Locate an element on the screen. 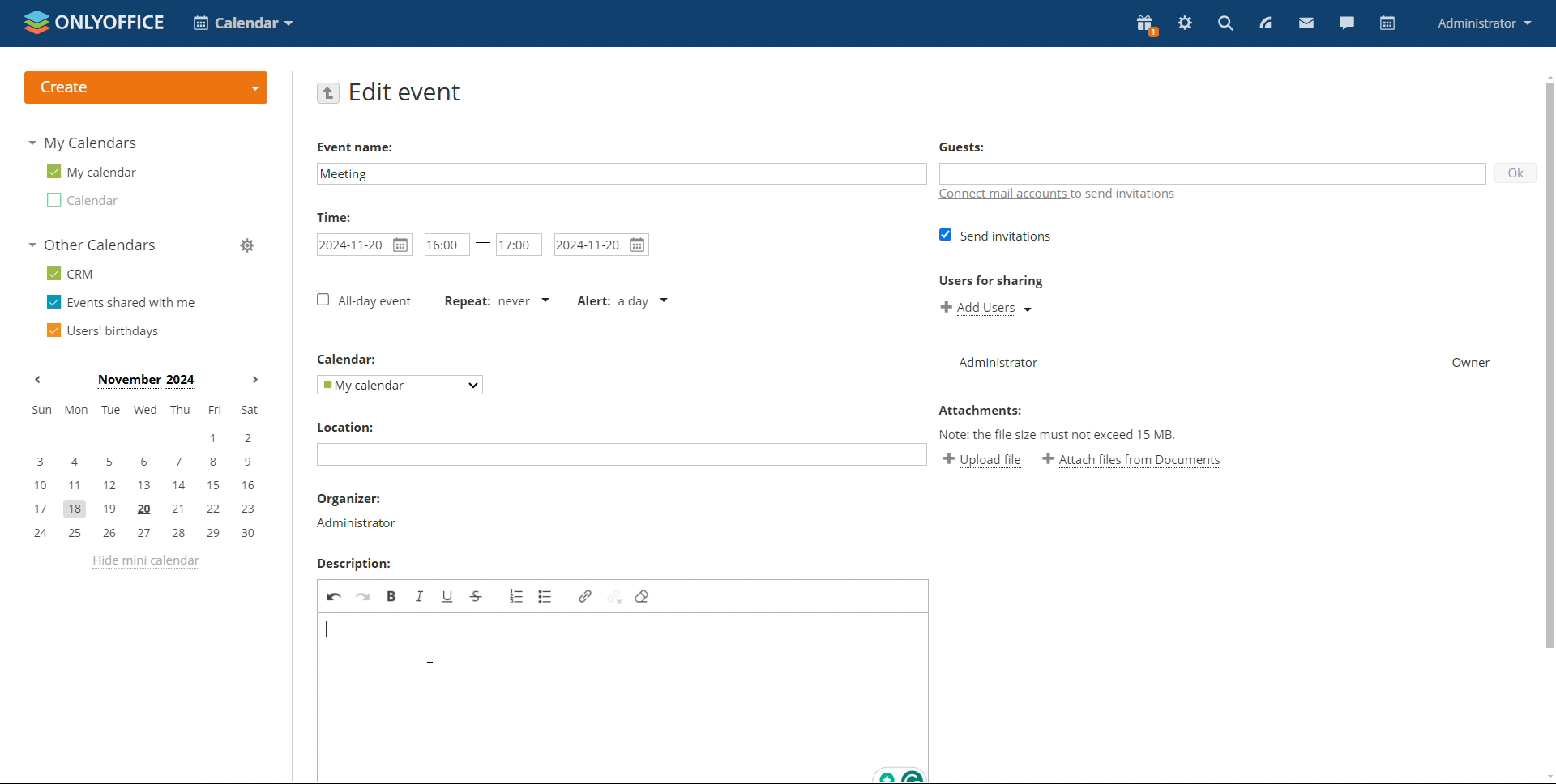  hide mini calendar is located at coordinates (145, 562).